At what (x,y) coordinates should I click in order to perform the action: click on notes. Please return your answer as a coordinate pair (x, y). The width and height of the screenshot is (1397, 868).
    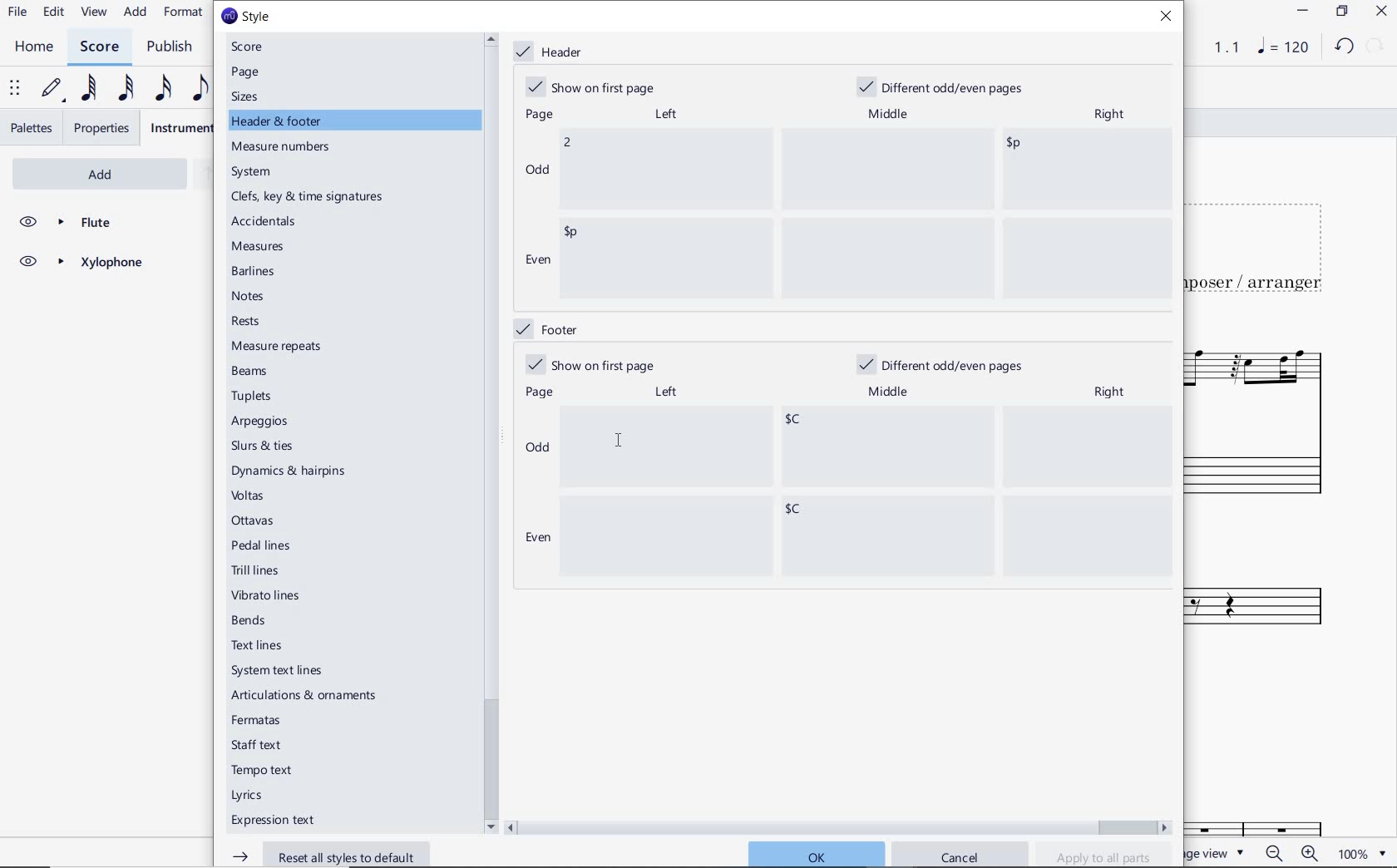
    Looking at the image, I should click on (249, 296).